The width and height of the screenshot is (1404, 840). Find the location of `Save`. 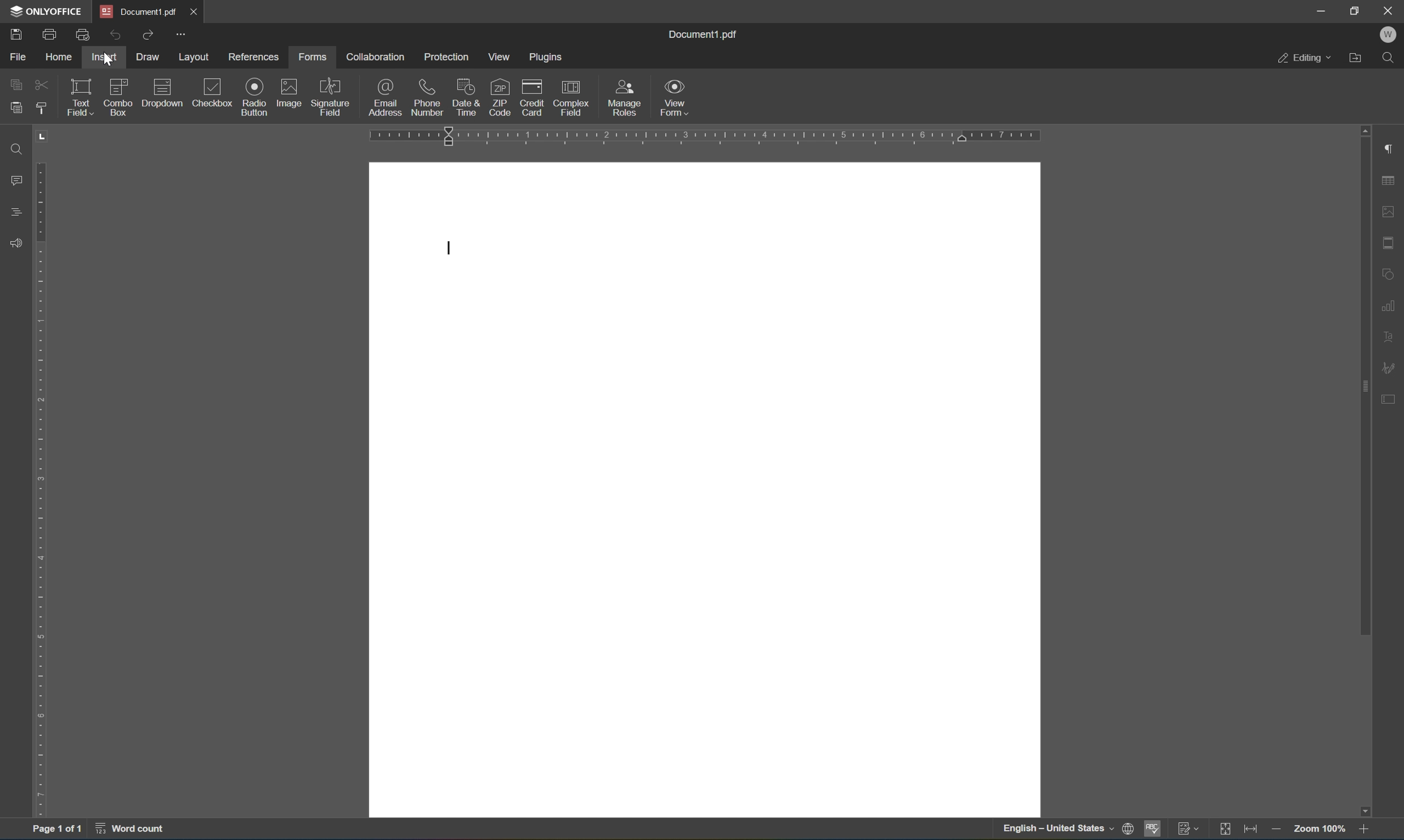

Save is located at coordinates (17, 35).